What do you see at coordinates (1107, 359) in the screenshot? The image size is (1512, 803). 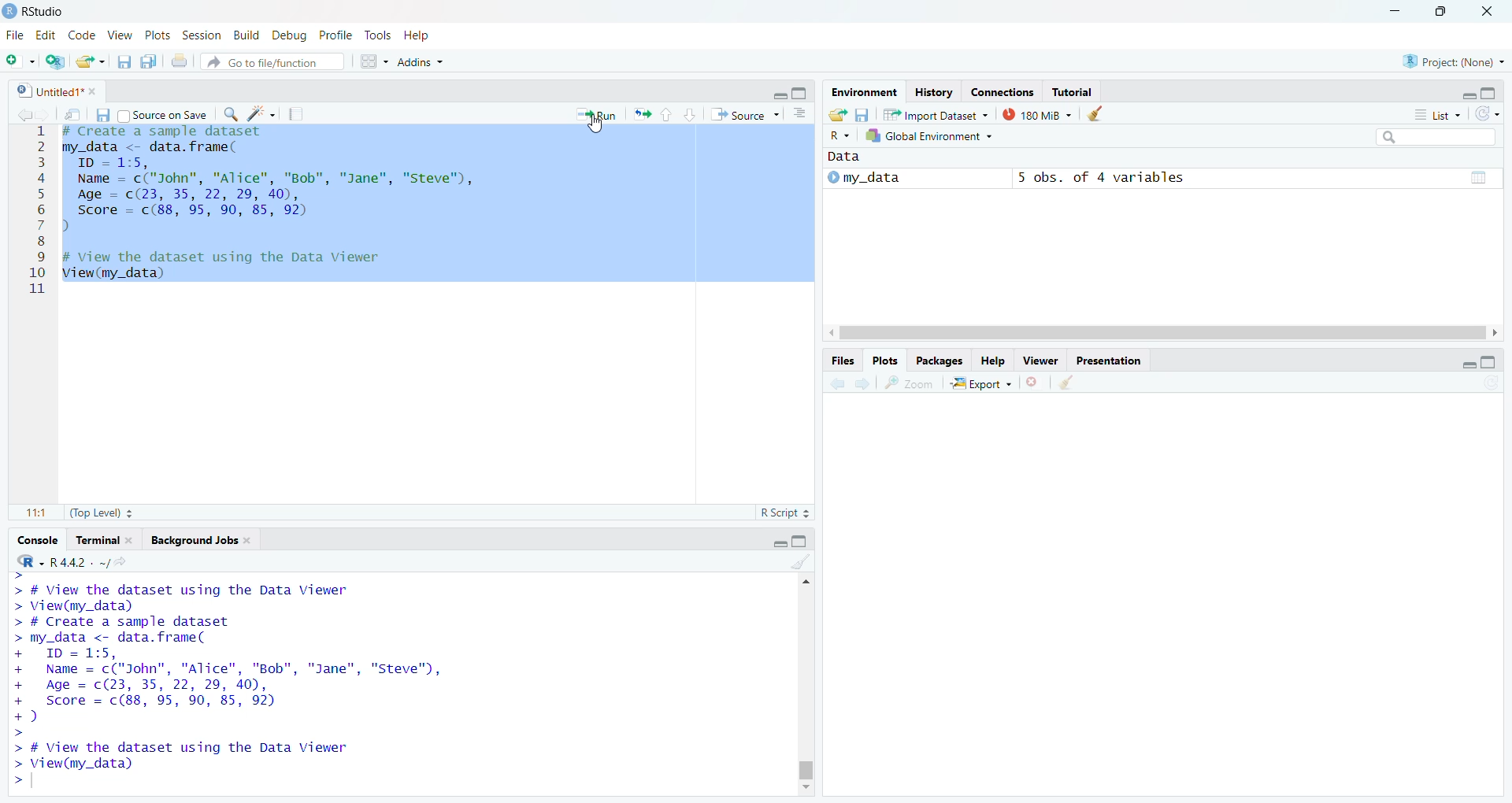 I see `Presentation` at bounding box center [1107, 359].